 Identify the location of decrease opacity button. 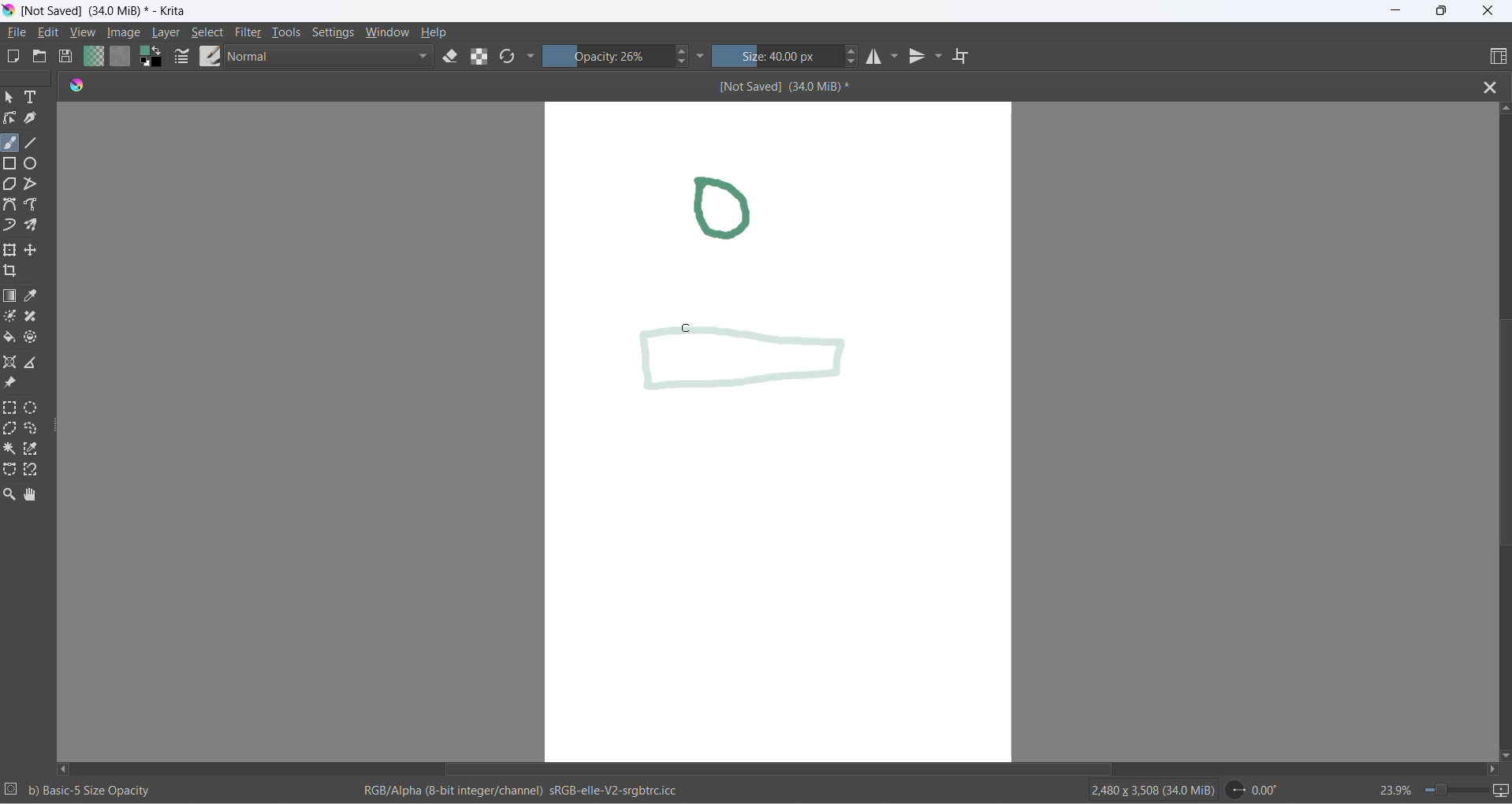
(685, 63).